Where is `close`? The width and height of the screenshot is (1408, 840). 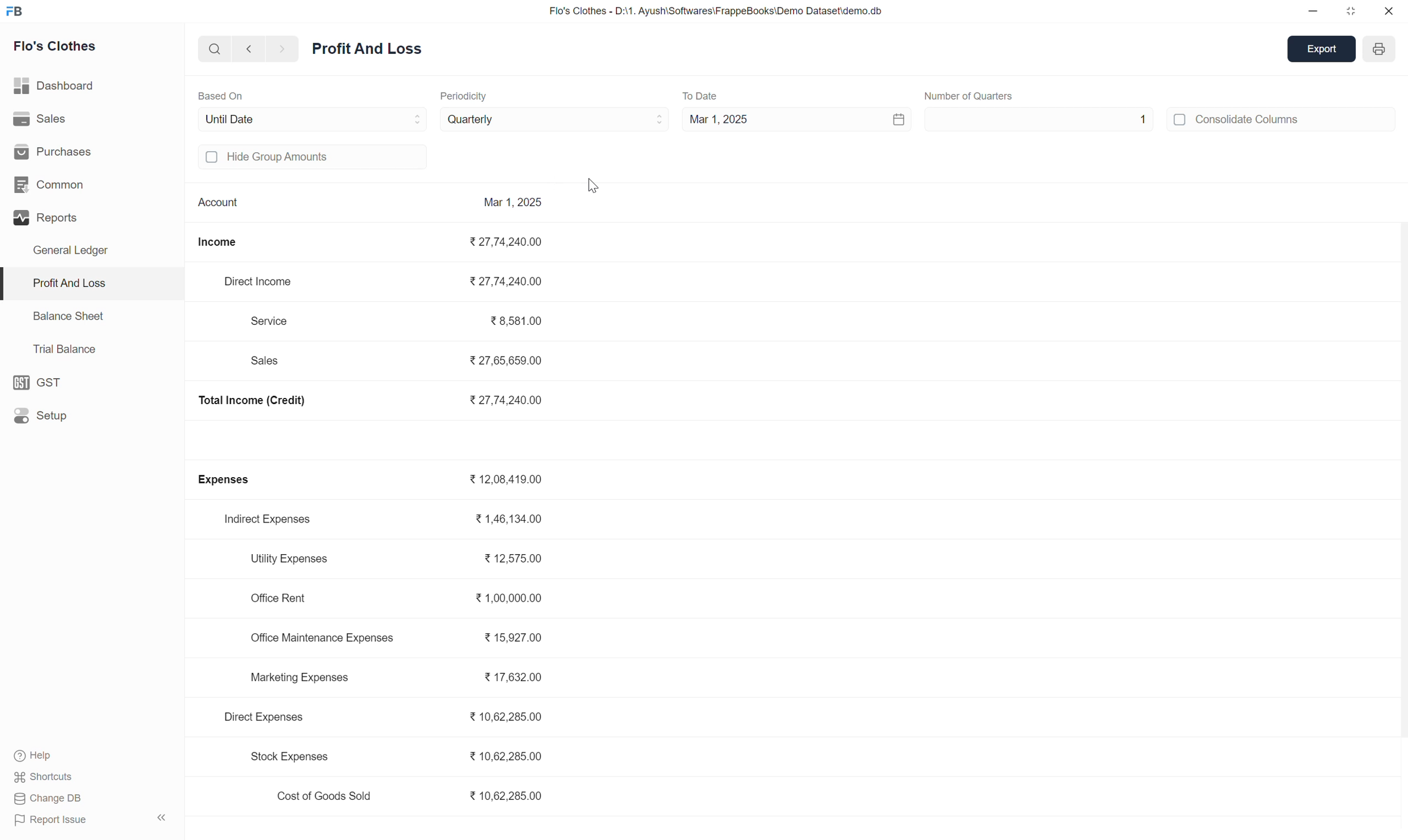 close is located at coordinates (1389, 11).